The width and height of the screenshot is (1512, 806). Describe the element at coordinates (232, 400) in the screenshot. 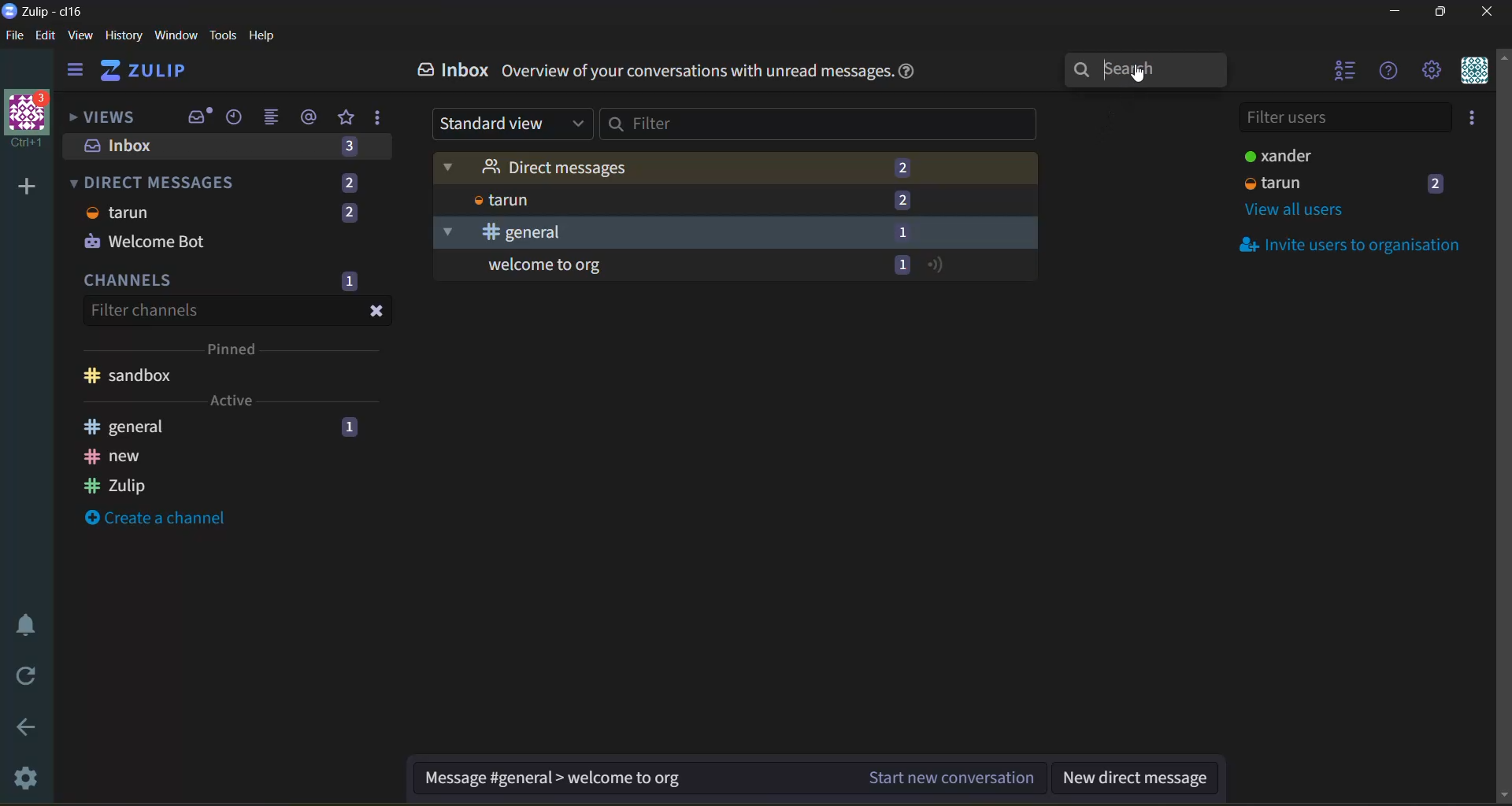

I see `Active` at that location.